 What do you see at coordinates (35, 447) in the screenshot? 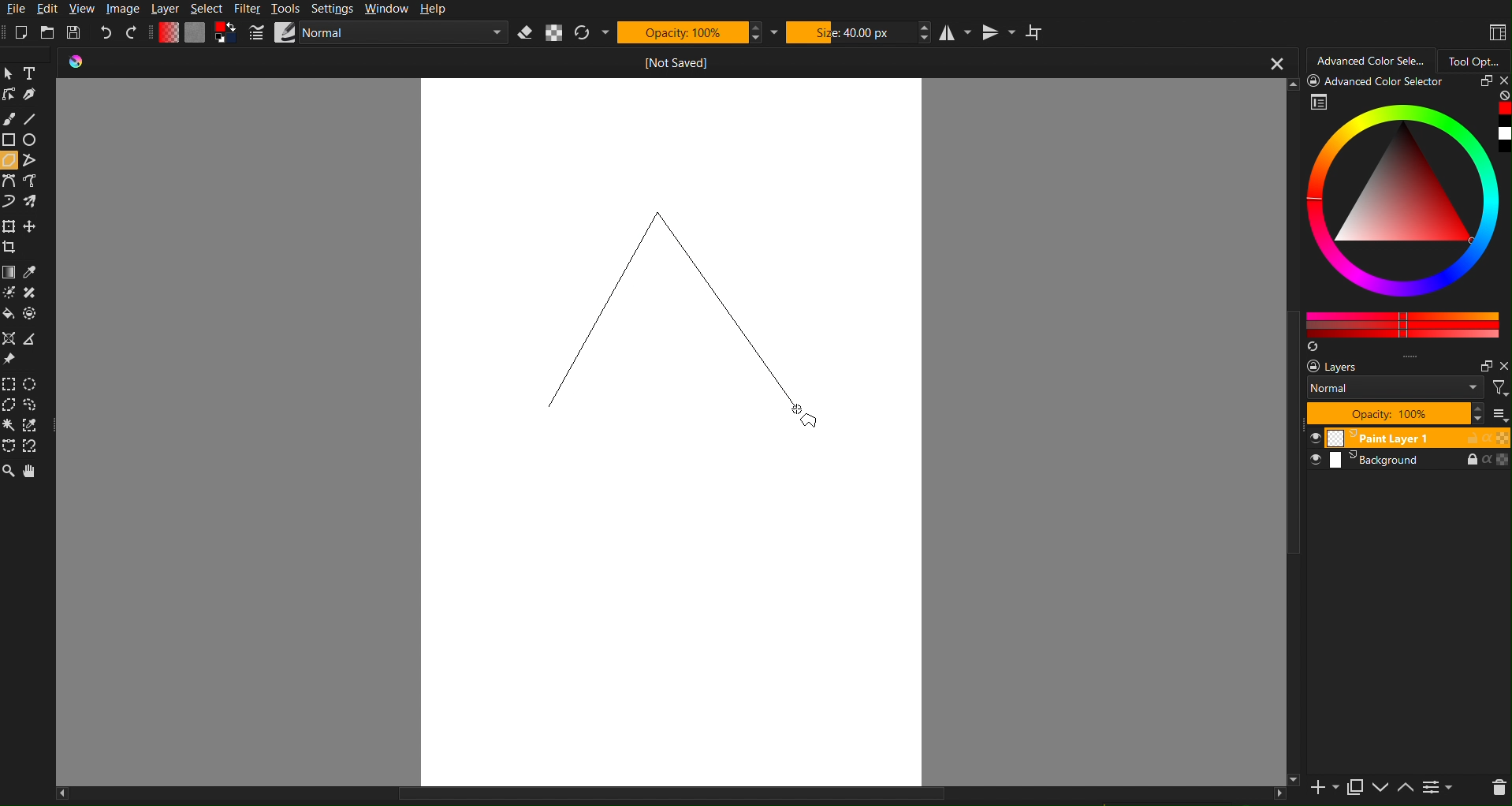
I see `magnetic curve Selection Tools` at bounding box center [35, 447].